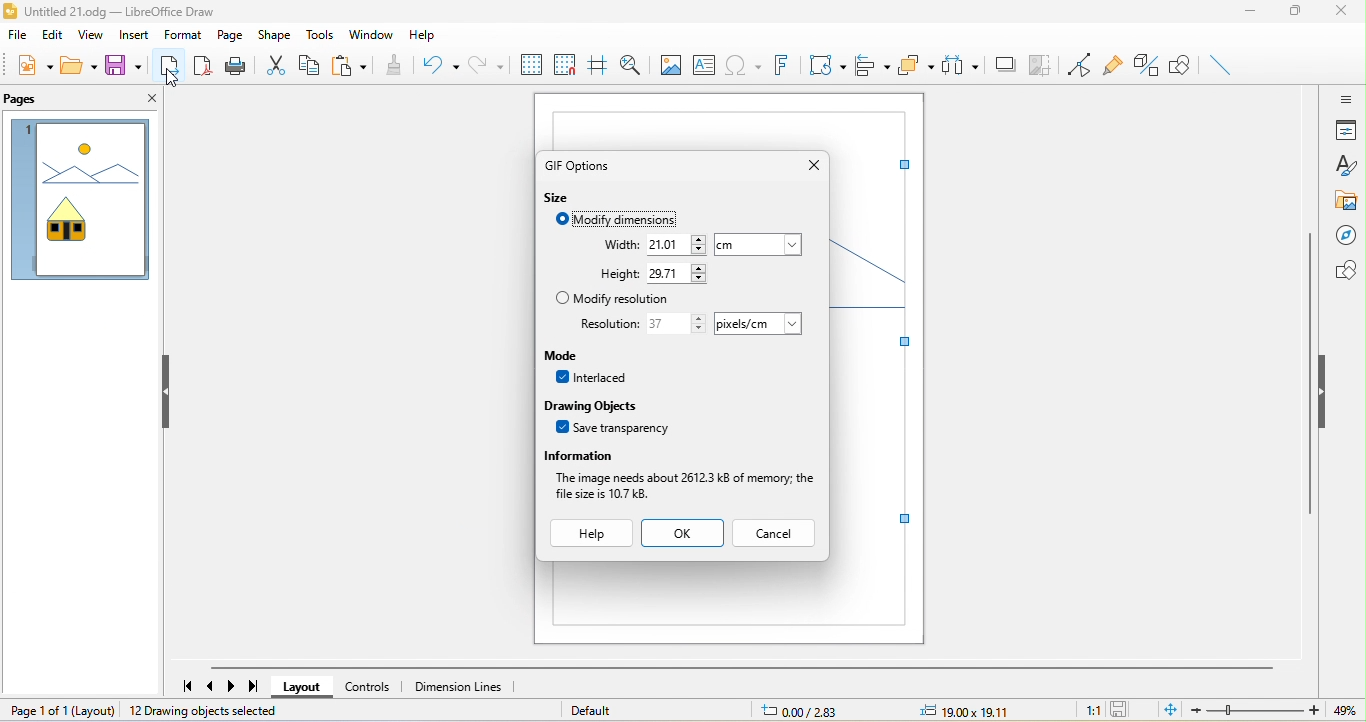  I want to click on size, so click(560, 198).